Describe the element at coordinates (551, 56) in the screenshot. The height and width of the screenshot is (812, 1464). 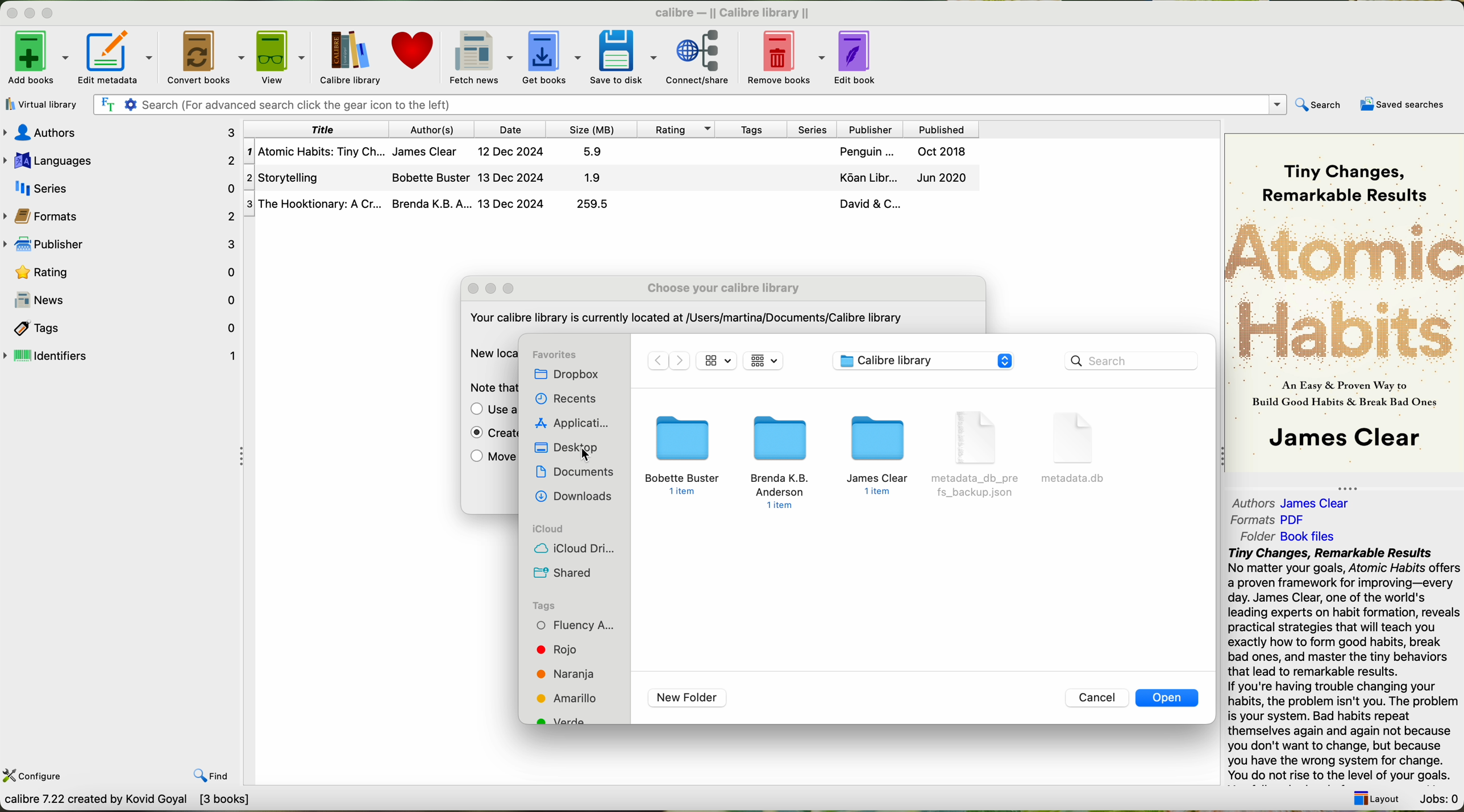
I see `get books` at that location.